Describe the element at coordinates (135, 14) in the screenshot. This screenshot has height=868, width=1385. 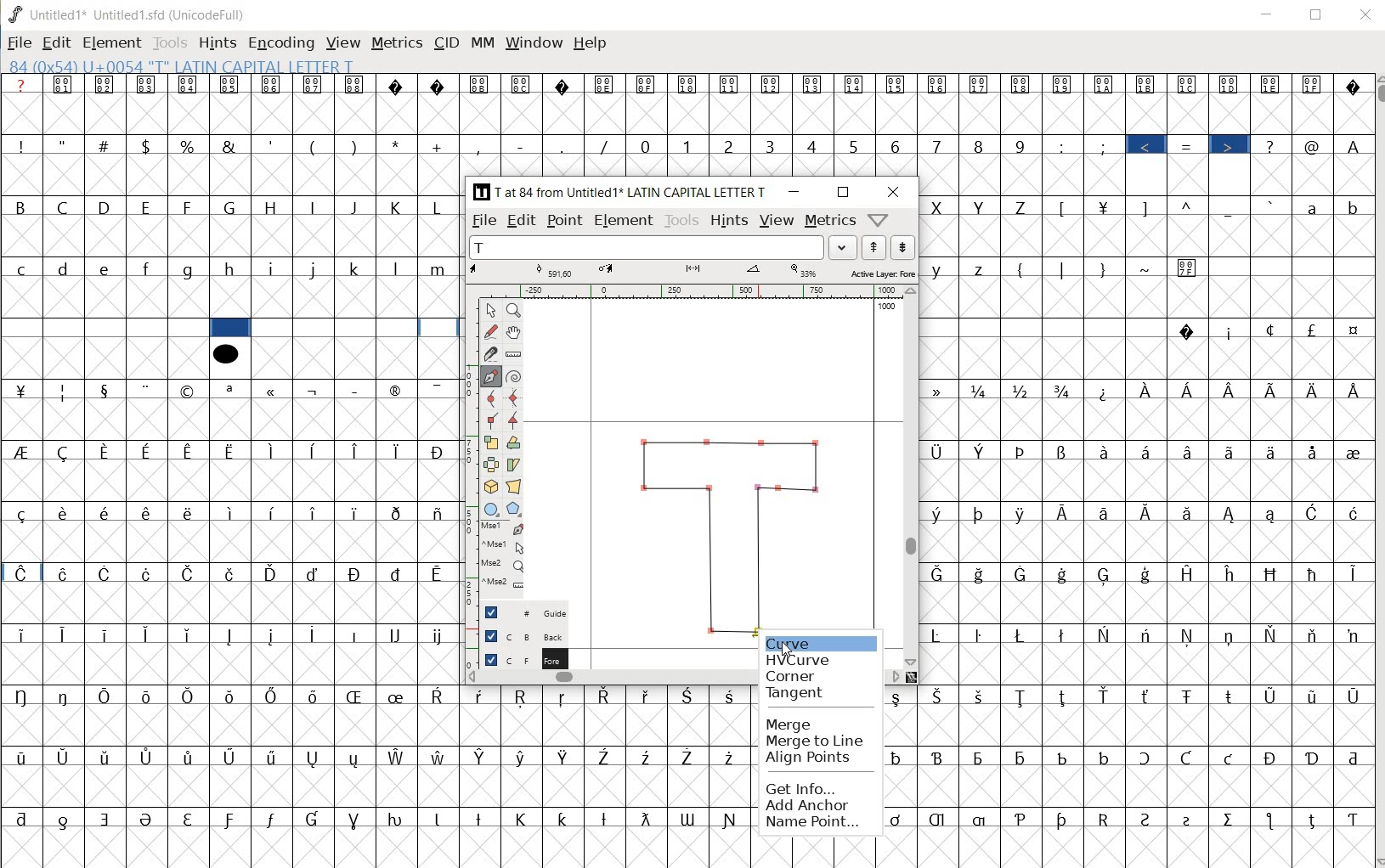
I see `Untitled1* Untitled 1.sfd (UnicodeFull)` at that location.